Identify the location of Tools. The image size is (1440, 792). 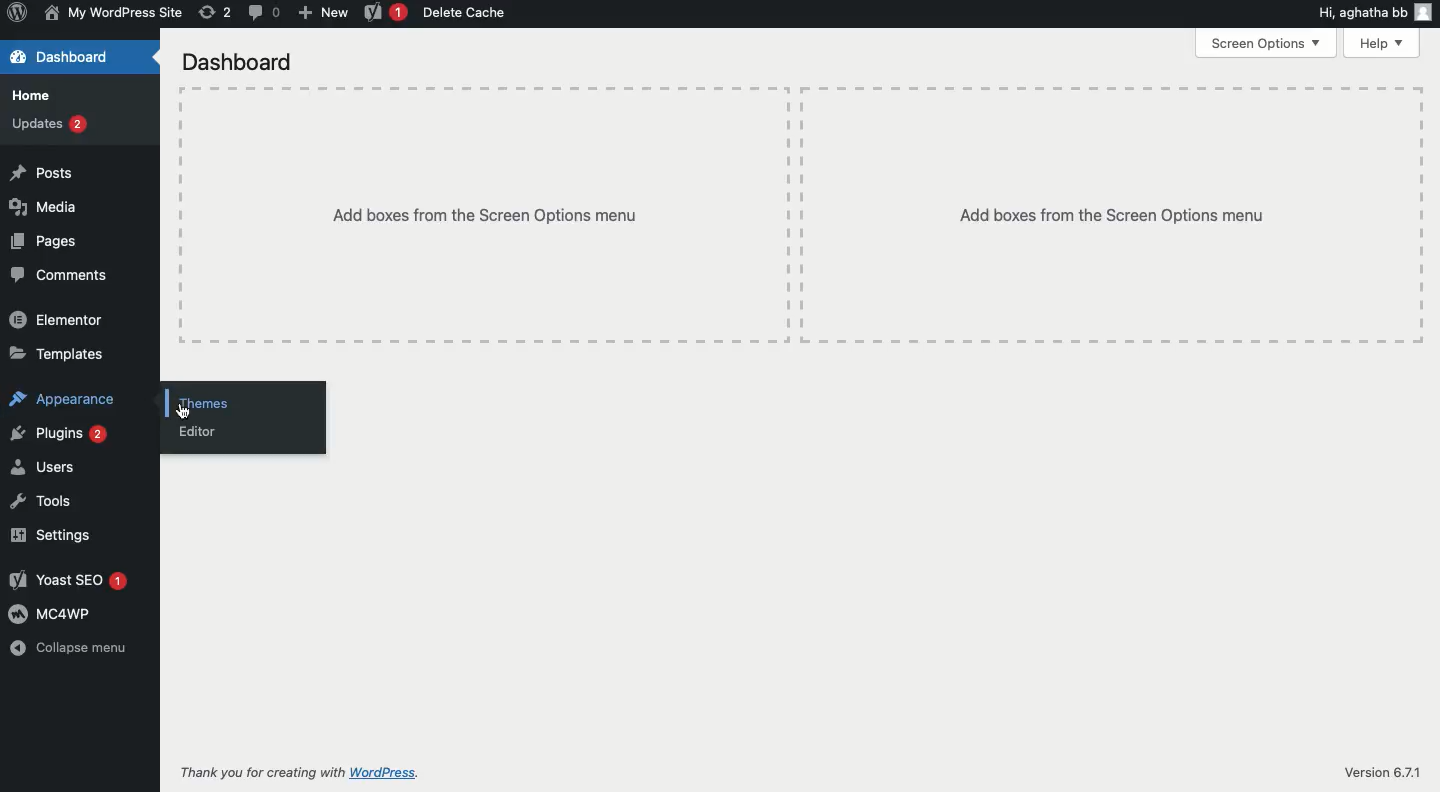
(41, 502).